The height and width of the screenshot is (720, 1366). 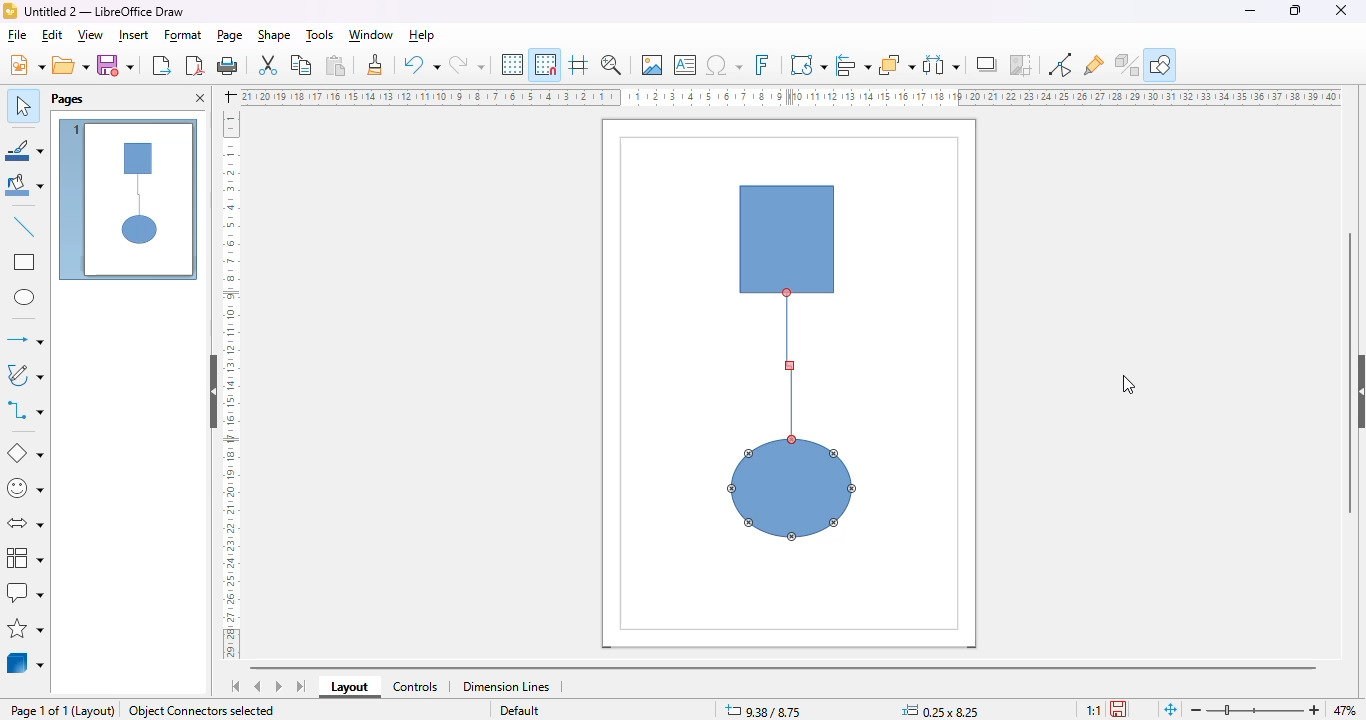 I want to click on cursor, so click(x=1127, y=385).